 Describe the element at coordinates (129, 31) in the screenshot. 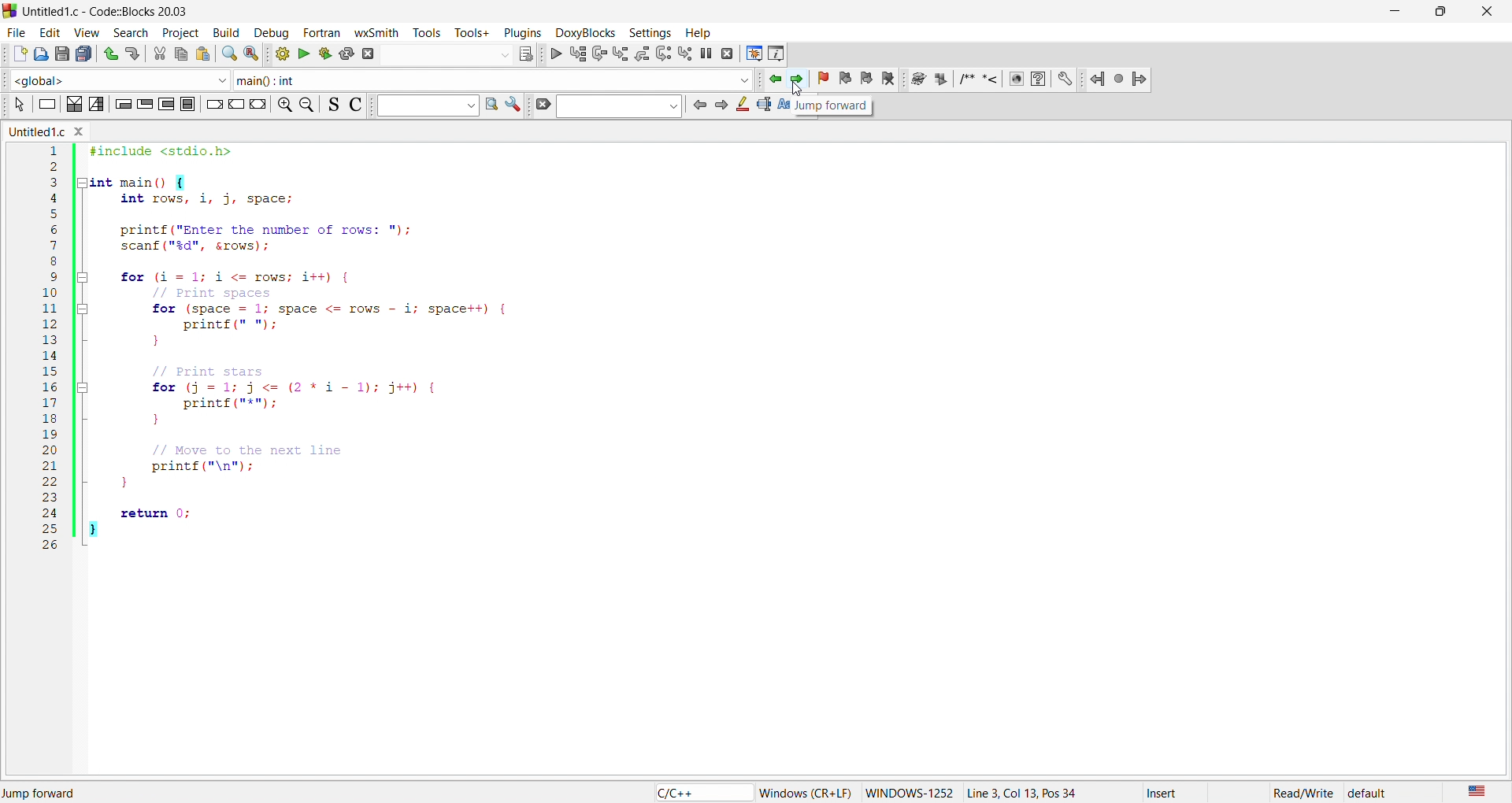

I see `search` at that location.